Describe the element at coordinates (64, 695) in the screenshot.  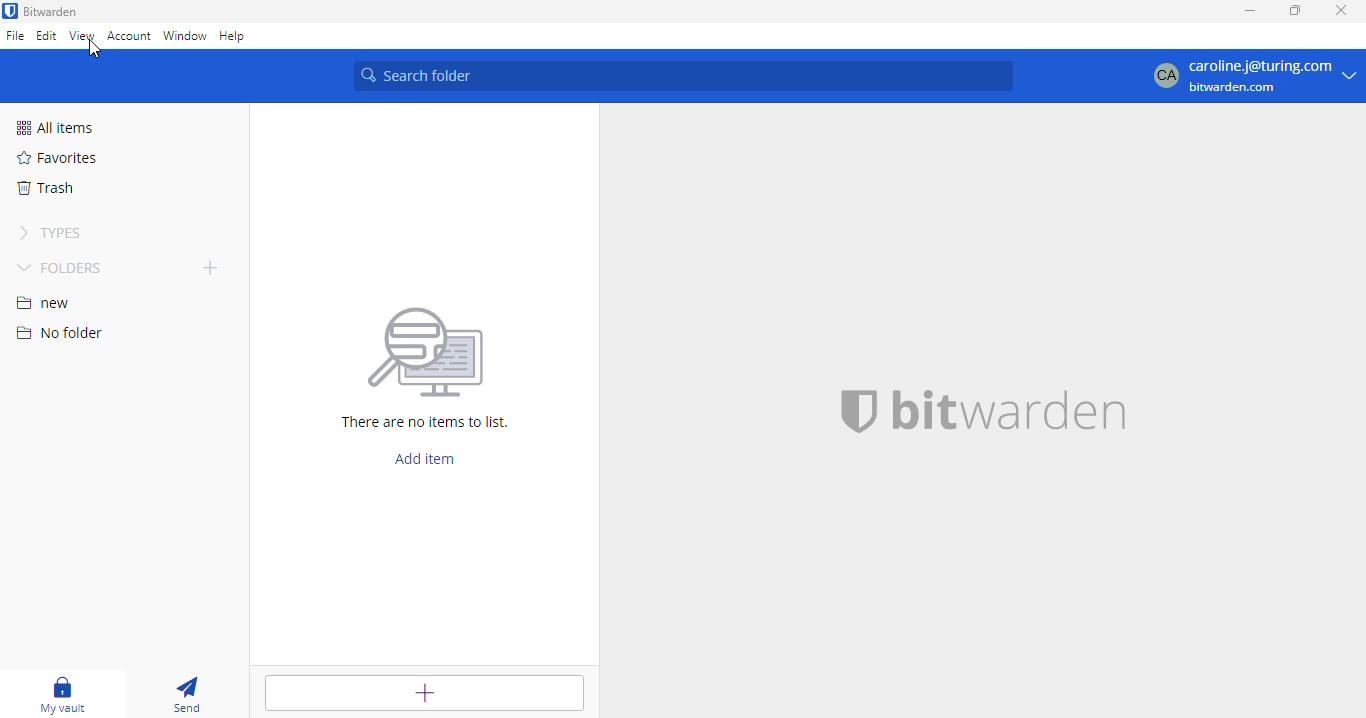
I see `my vault` at that location.